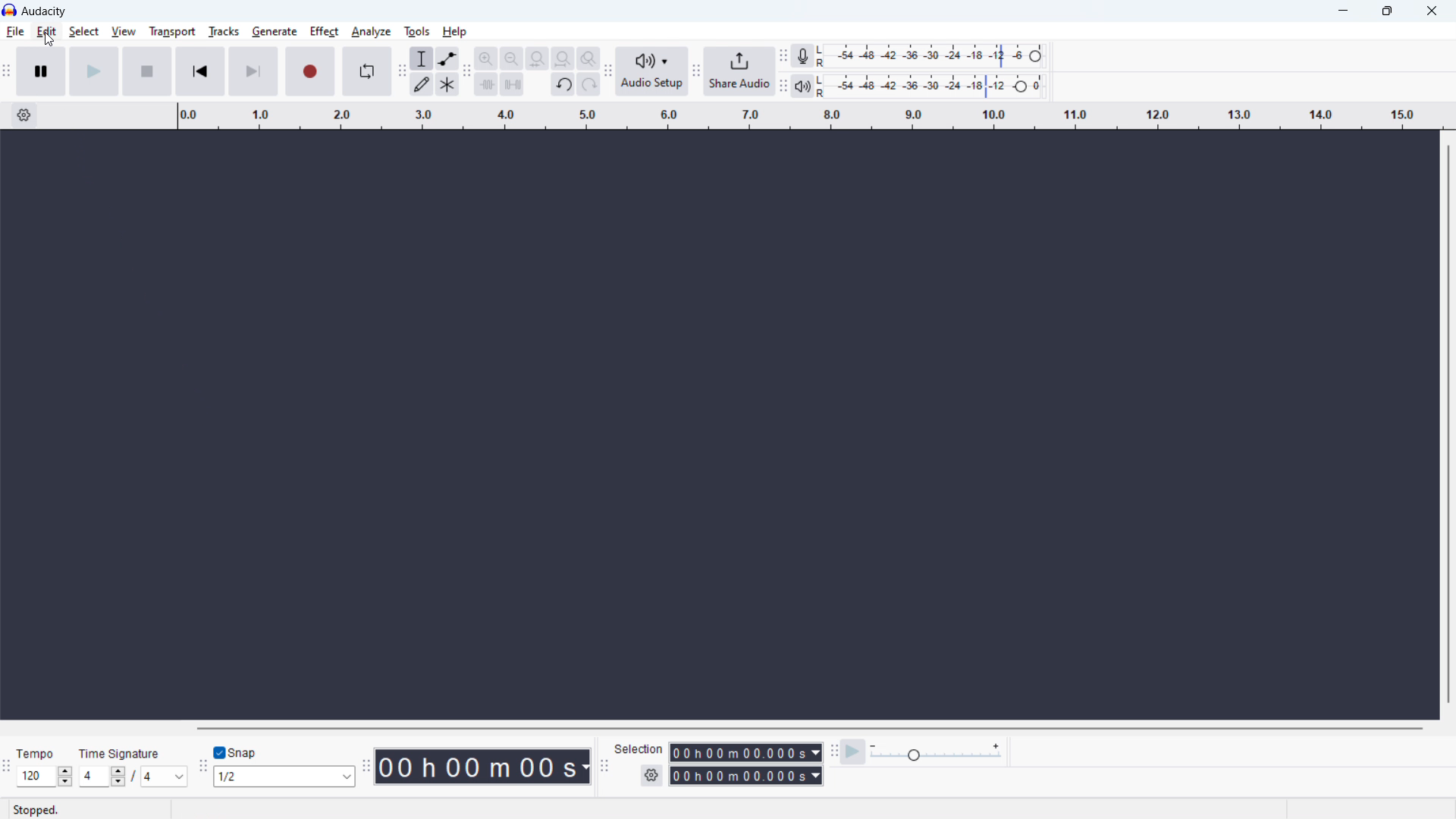 The image size is (1456, 819). I want to click on Enables movement of playback meter toolbar, so click(783, 86).